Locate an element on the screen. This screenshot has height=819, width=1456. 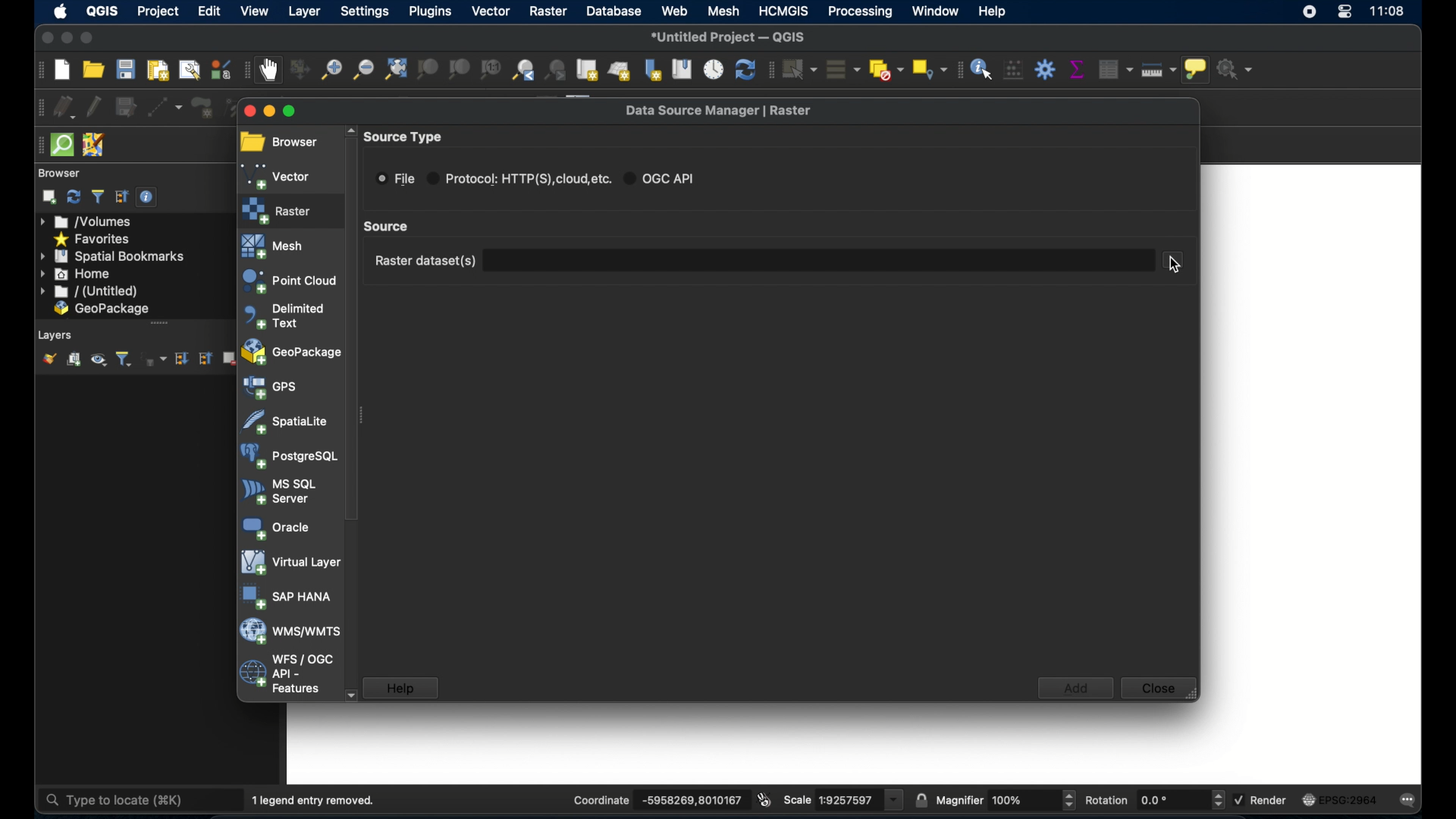
minimize is located at coordinates (66, 38).